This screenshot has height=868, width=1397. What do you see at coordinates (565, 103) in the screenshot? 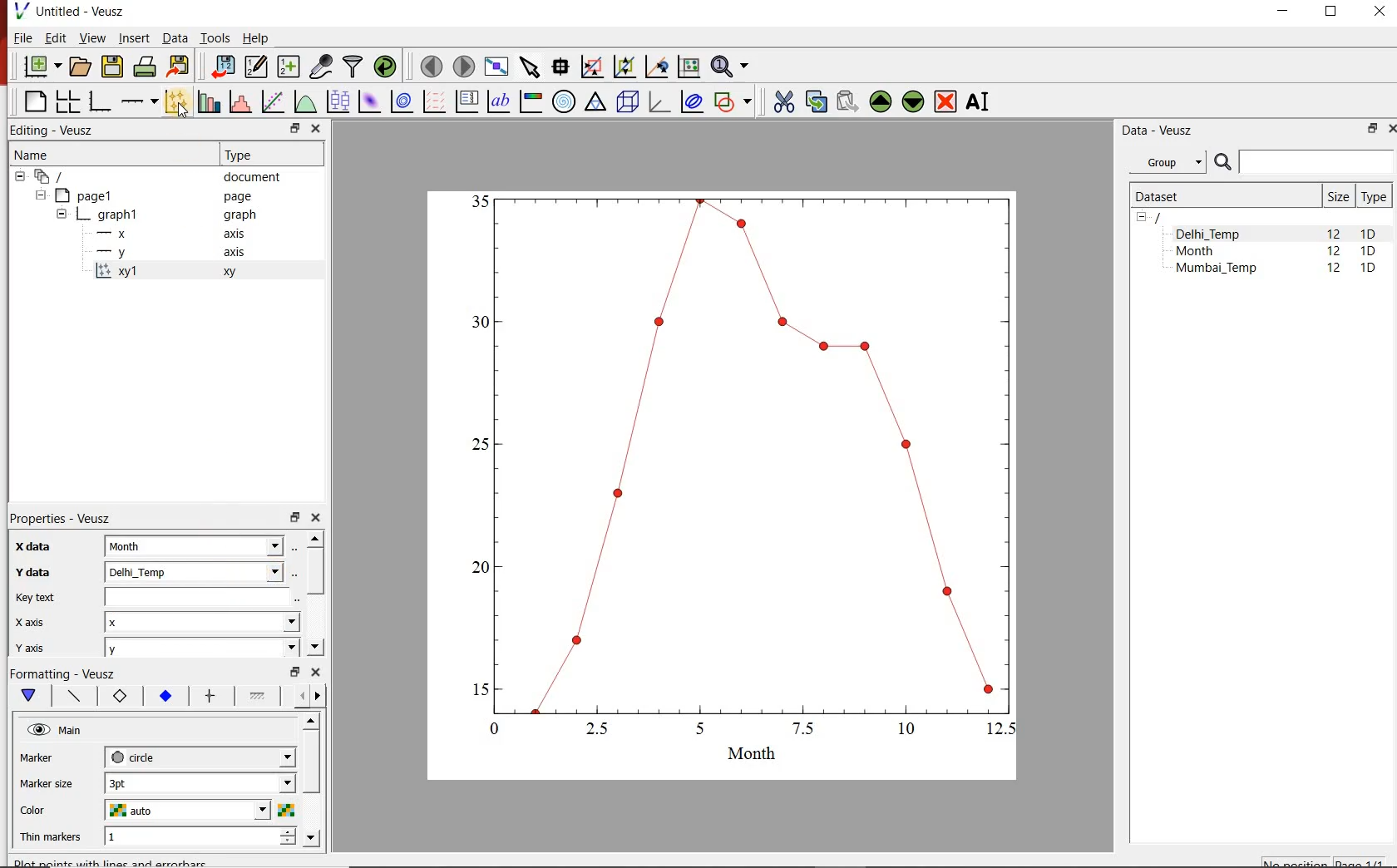
I see `polar graph` at bounding box center [565, 103].